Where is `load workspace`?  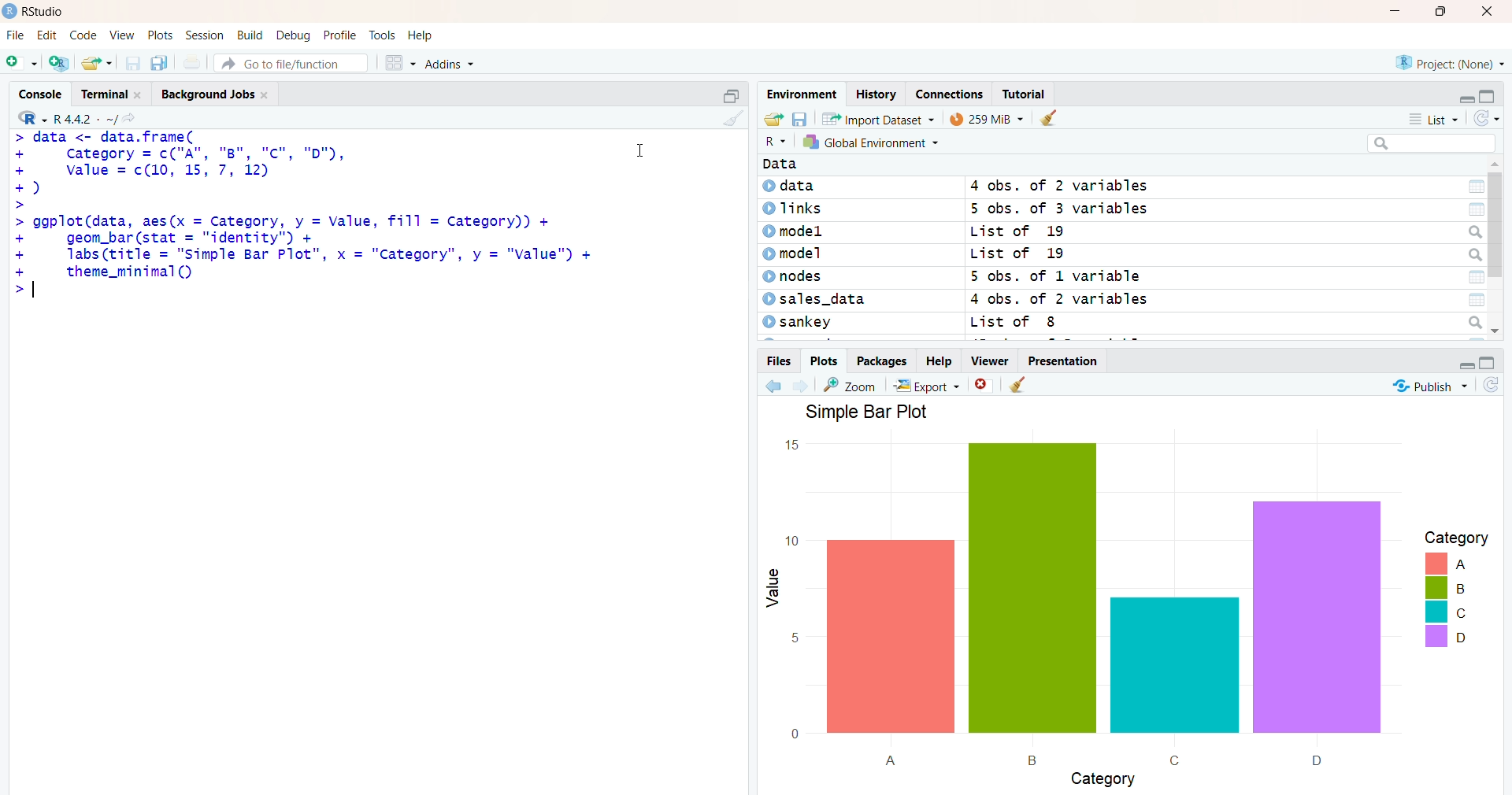 load workspace is located at coordinates (773, 119).